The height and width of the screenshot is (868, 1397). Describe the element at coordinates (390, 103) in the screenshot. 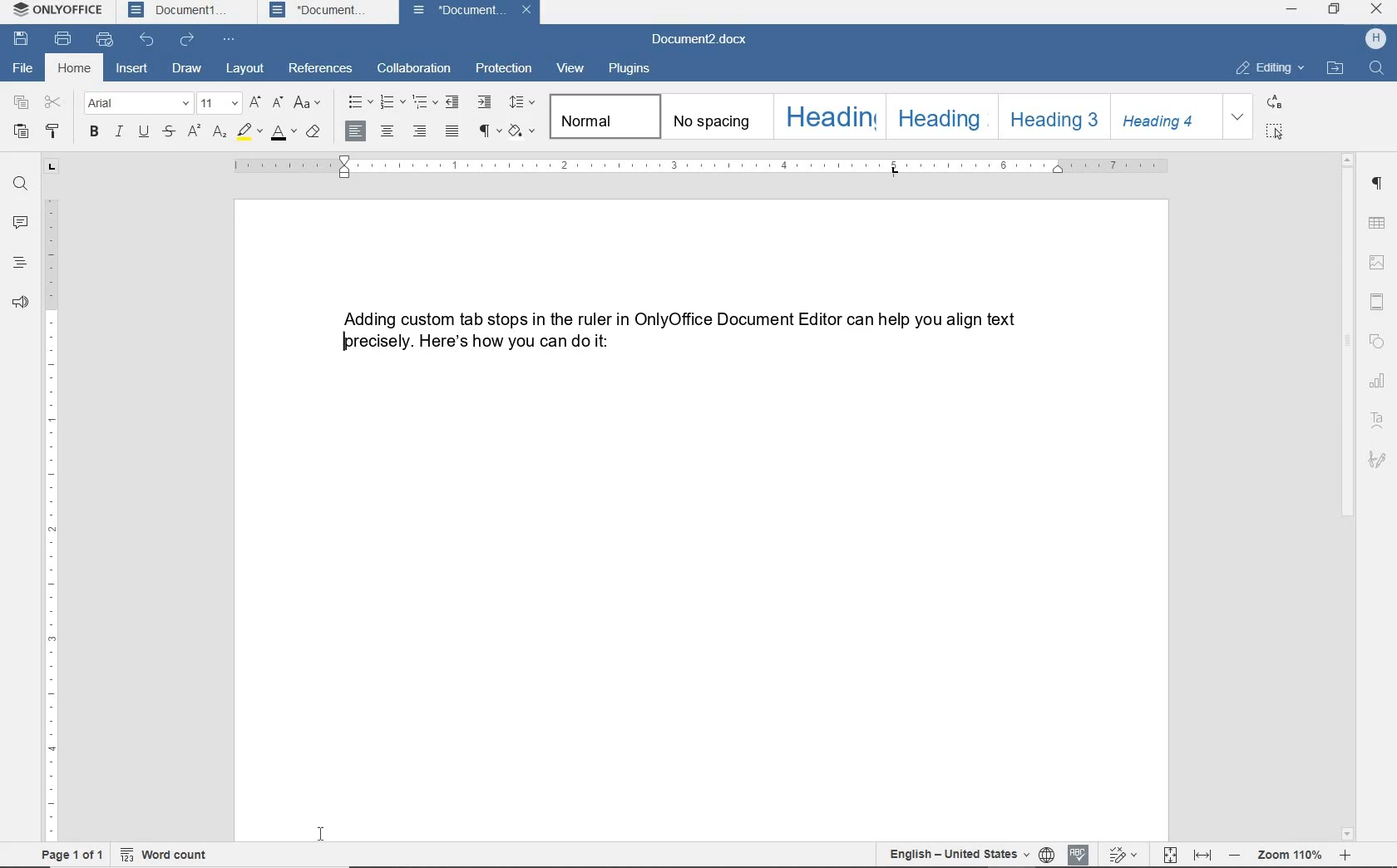

I see `numbering` at that location.